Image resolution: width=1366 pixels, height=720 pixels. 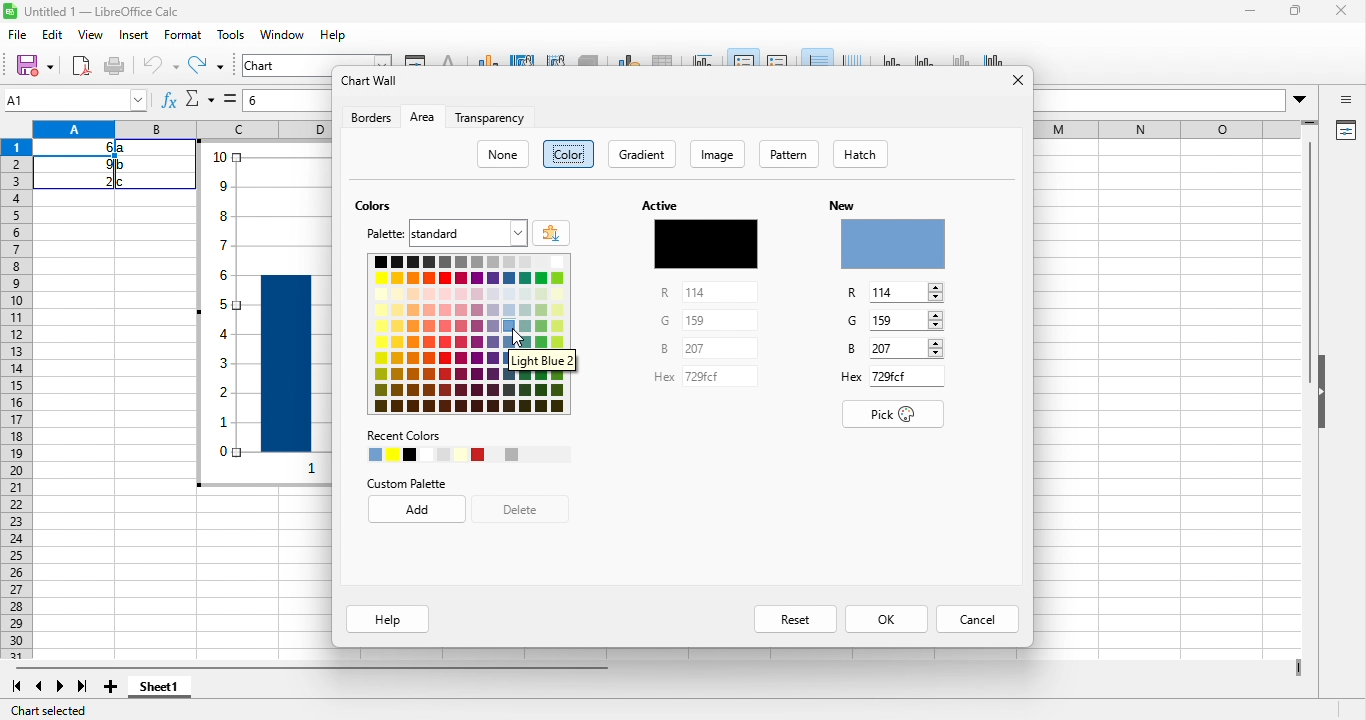 What do you see at coordinates (896, 414) in the screenshot?
I see `pick` at bounding box center [896, 414].